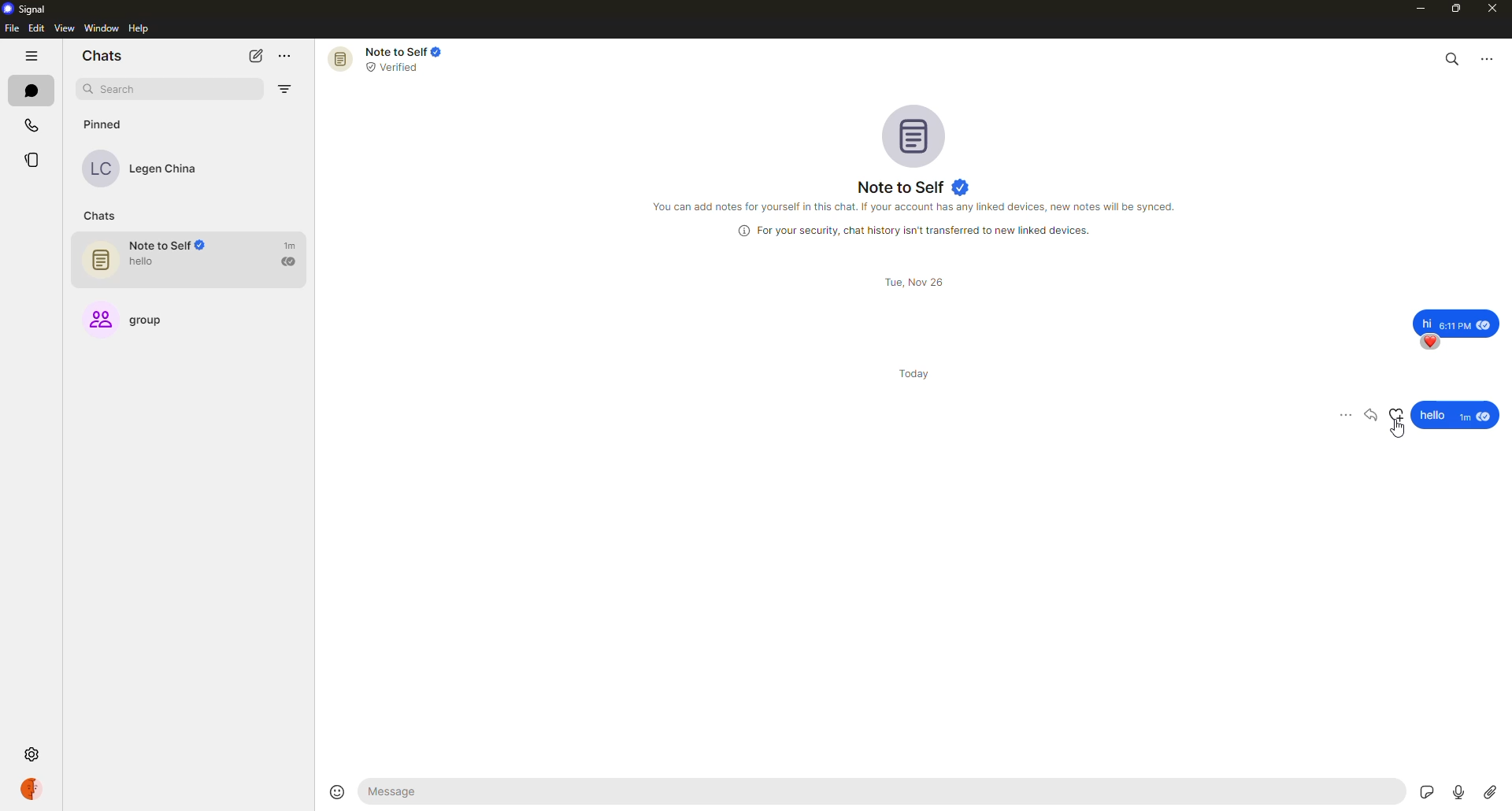 This screenshot has width=1512, height=811. I want to click on note to self, so click(391, 58).